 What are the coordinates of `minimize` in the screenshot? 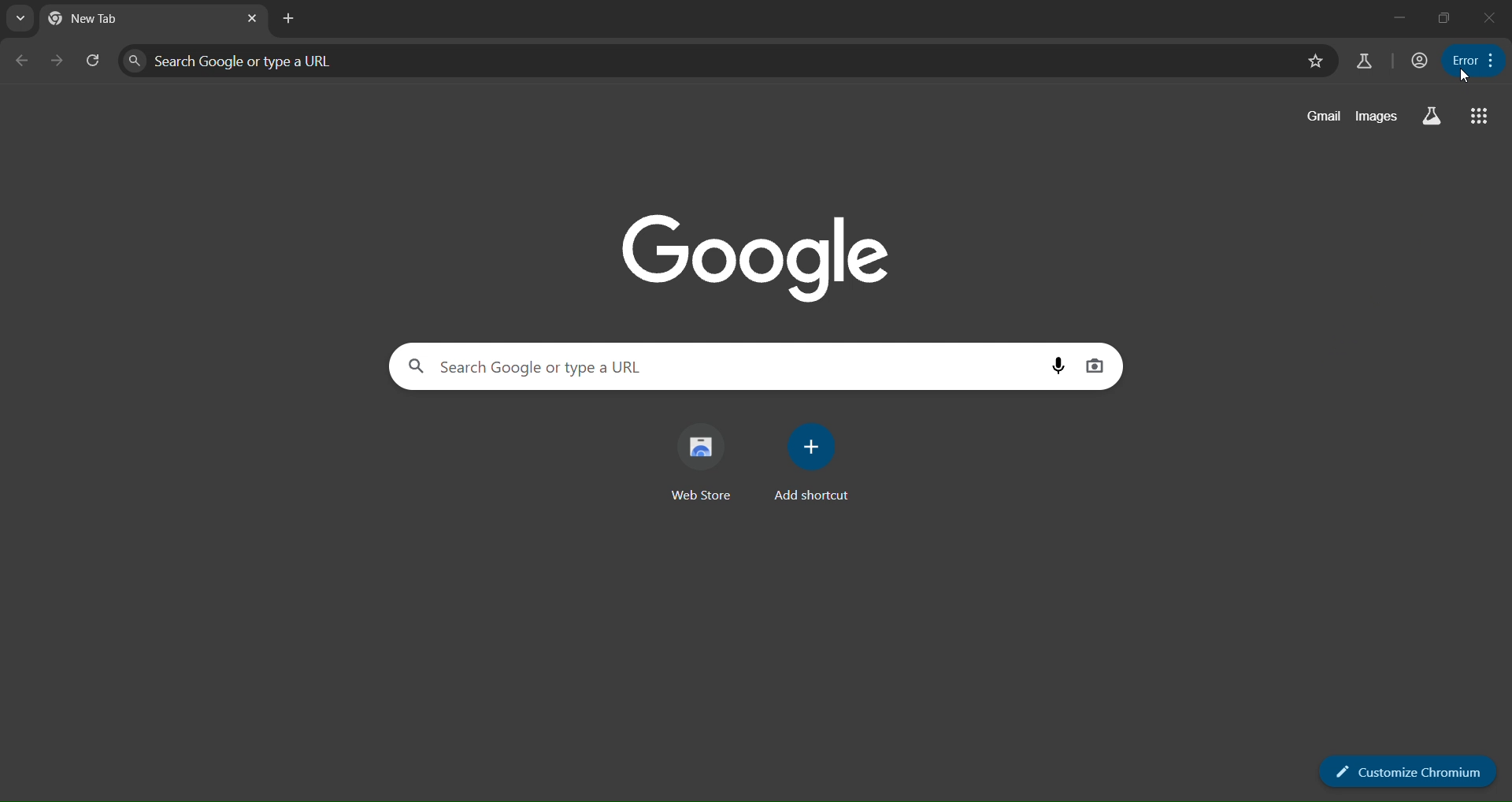 It's located at (1399, 18).